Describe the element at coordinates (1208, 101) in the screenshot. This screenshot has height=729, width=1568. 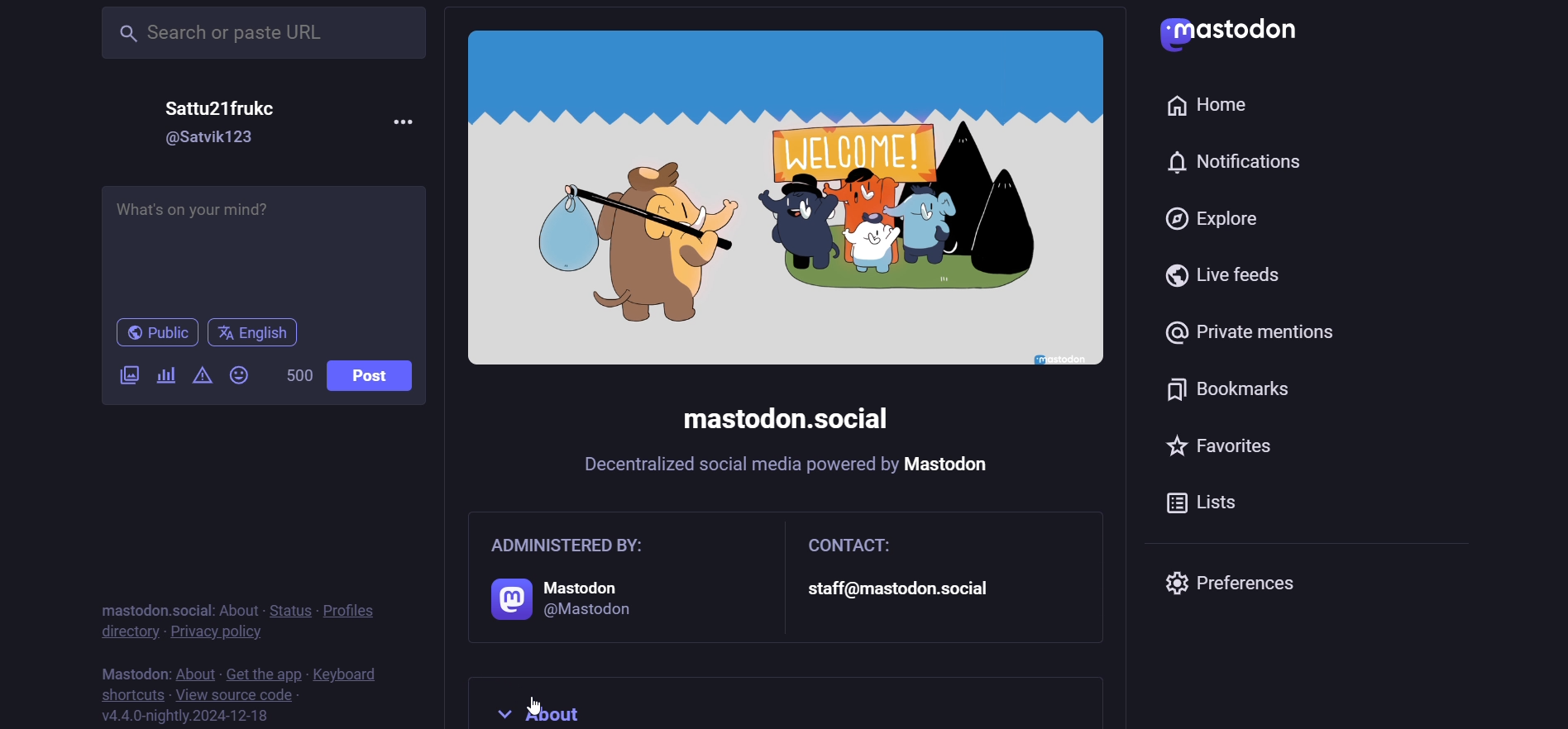
I see `home` at that location.